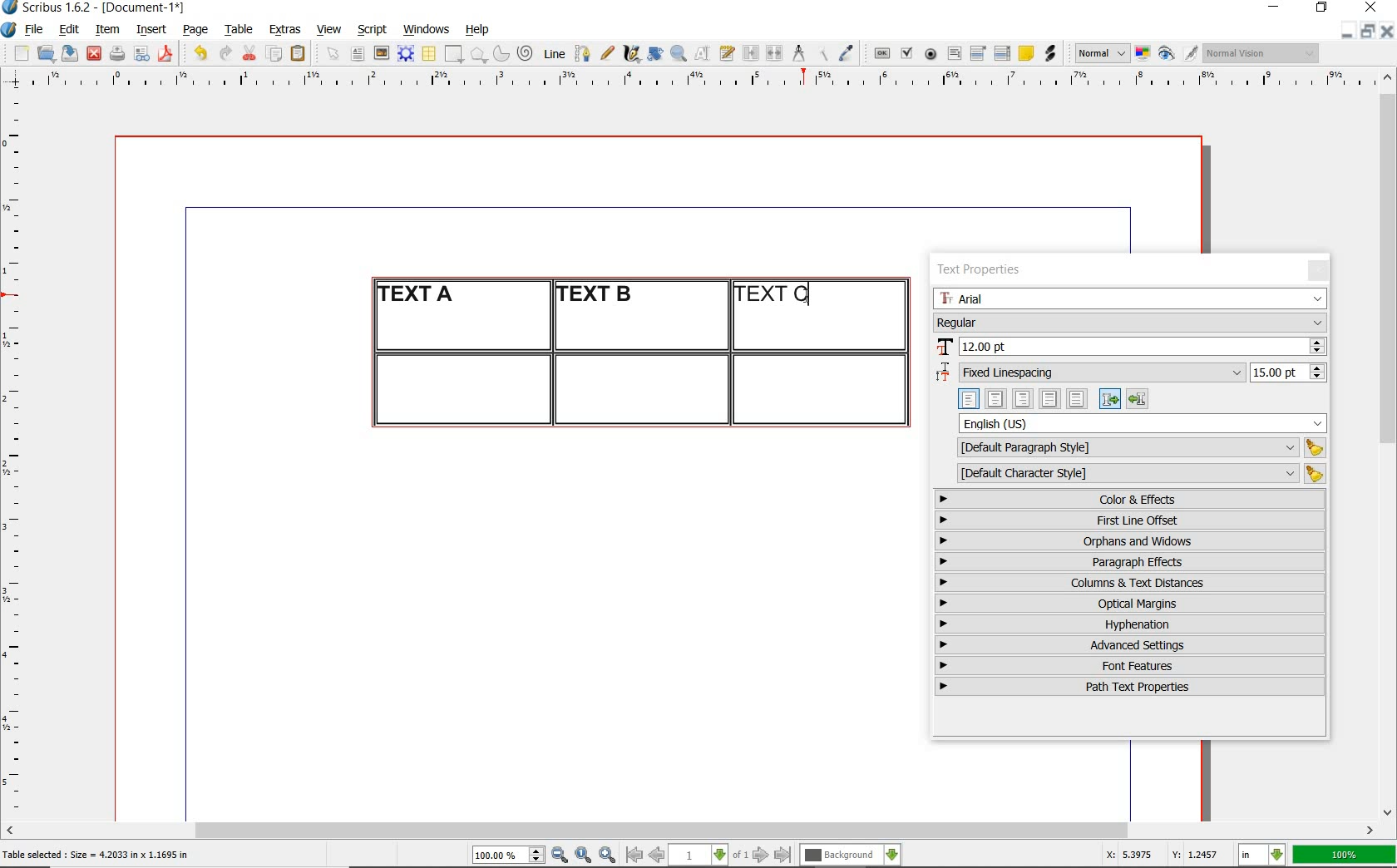 The width and height of the screenshot is (1397, 868). What do you see at coordinates (1131, 373) in the screenshot?
I see `fixed linespacing` at bounding box center [1131, 373].